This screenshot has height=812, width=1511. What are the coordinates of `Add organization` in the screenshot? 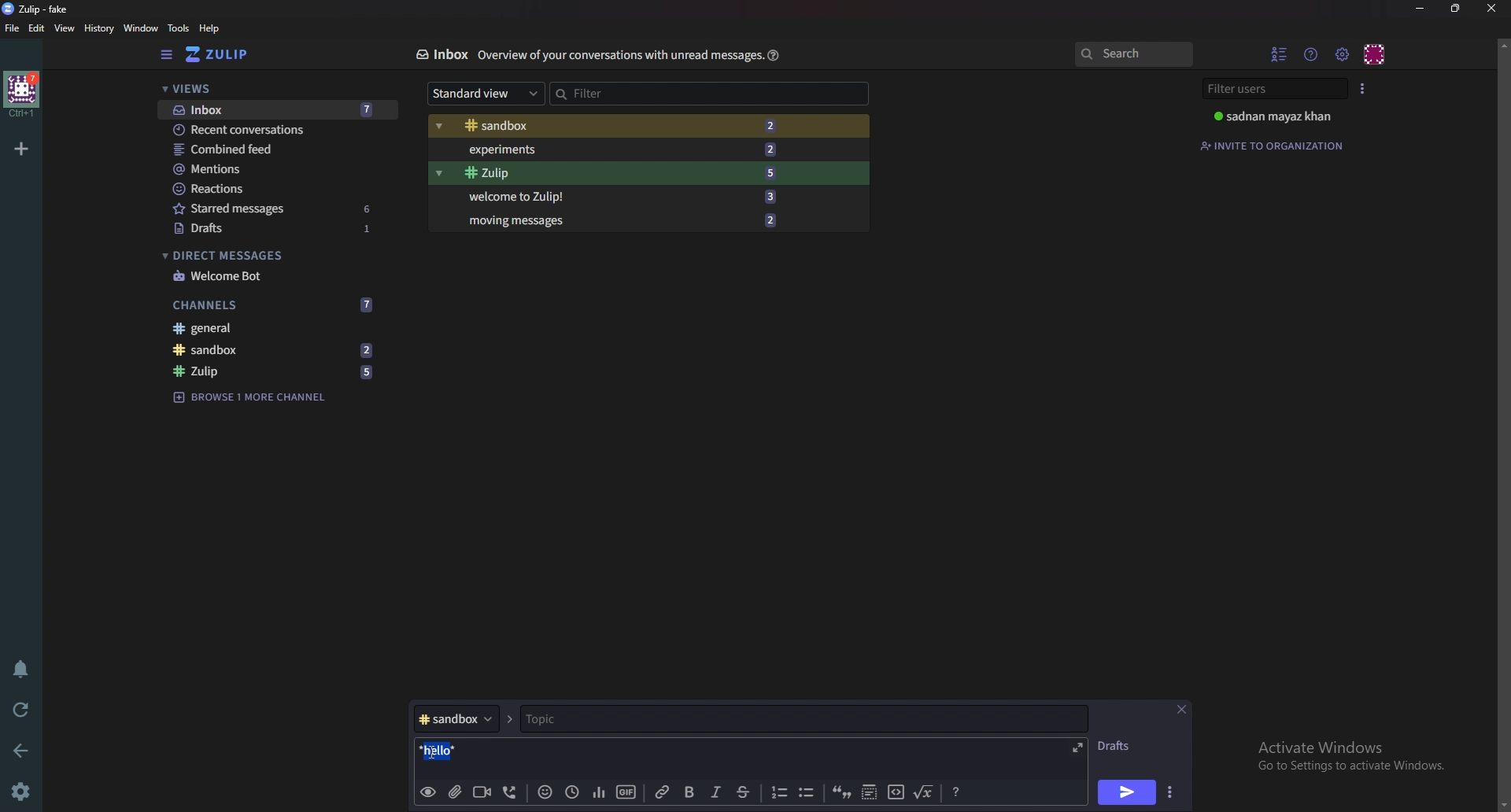 It's located at (22, 149).